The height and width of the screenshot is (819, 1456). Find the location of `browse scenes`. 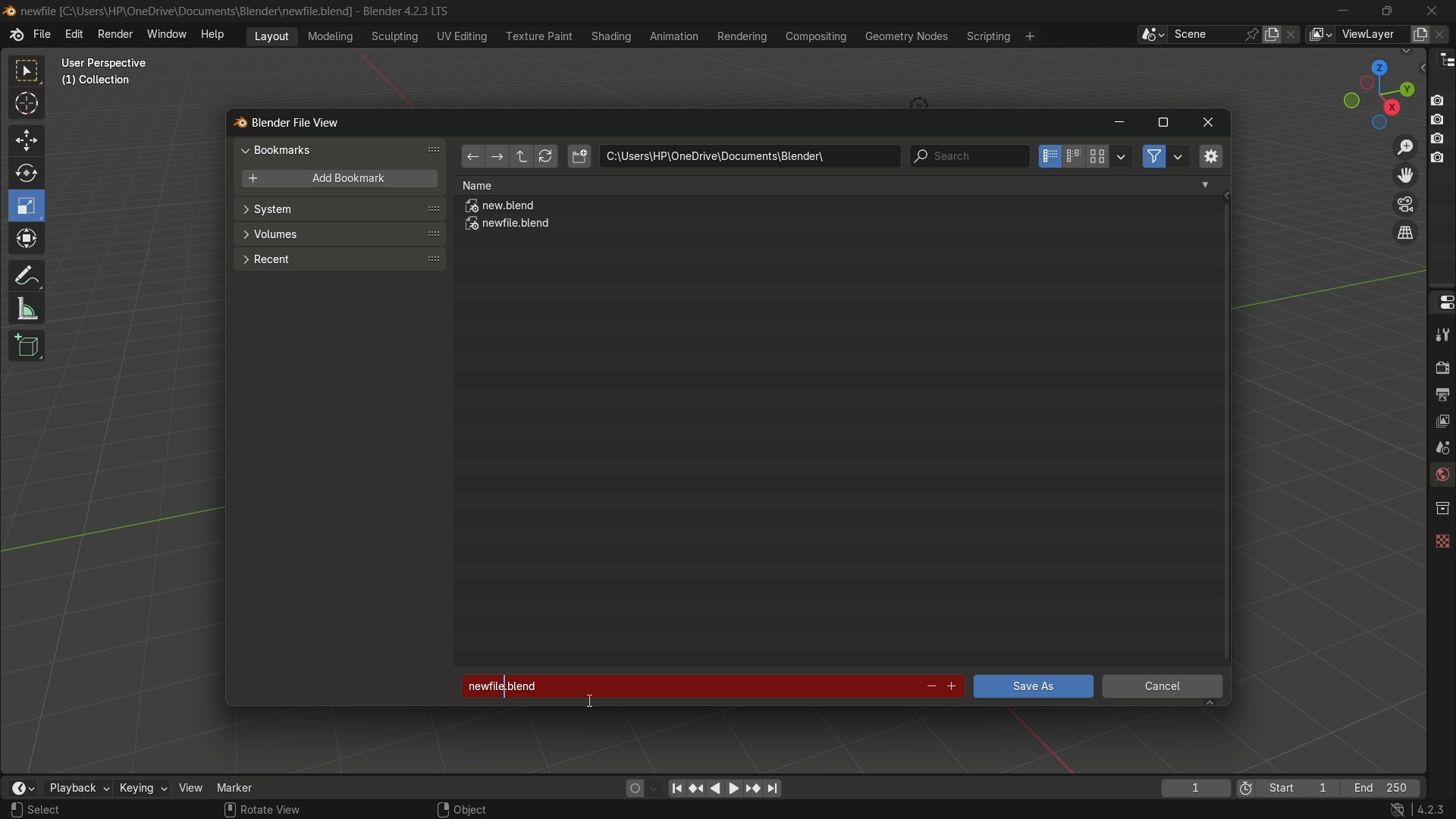

browse scenes is located at coordinates (1152, 35).